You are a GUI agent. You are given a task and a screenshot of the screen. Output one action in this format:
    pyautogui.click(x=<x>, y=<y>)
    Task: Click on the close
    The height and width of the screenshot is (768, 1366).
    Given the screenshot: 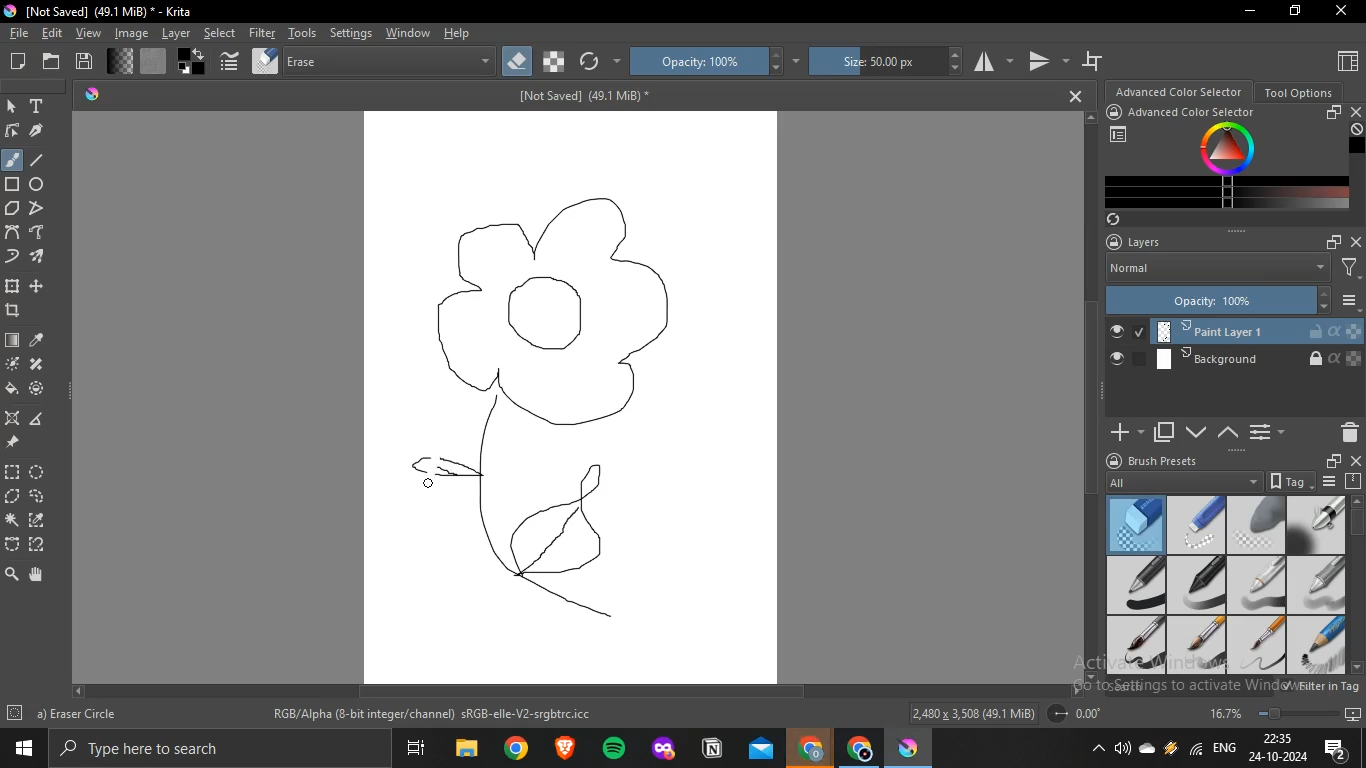 What is the action you would take?
    pyautogui.click(x=1356, y=111)
    